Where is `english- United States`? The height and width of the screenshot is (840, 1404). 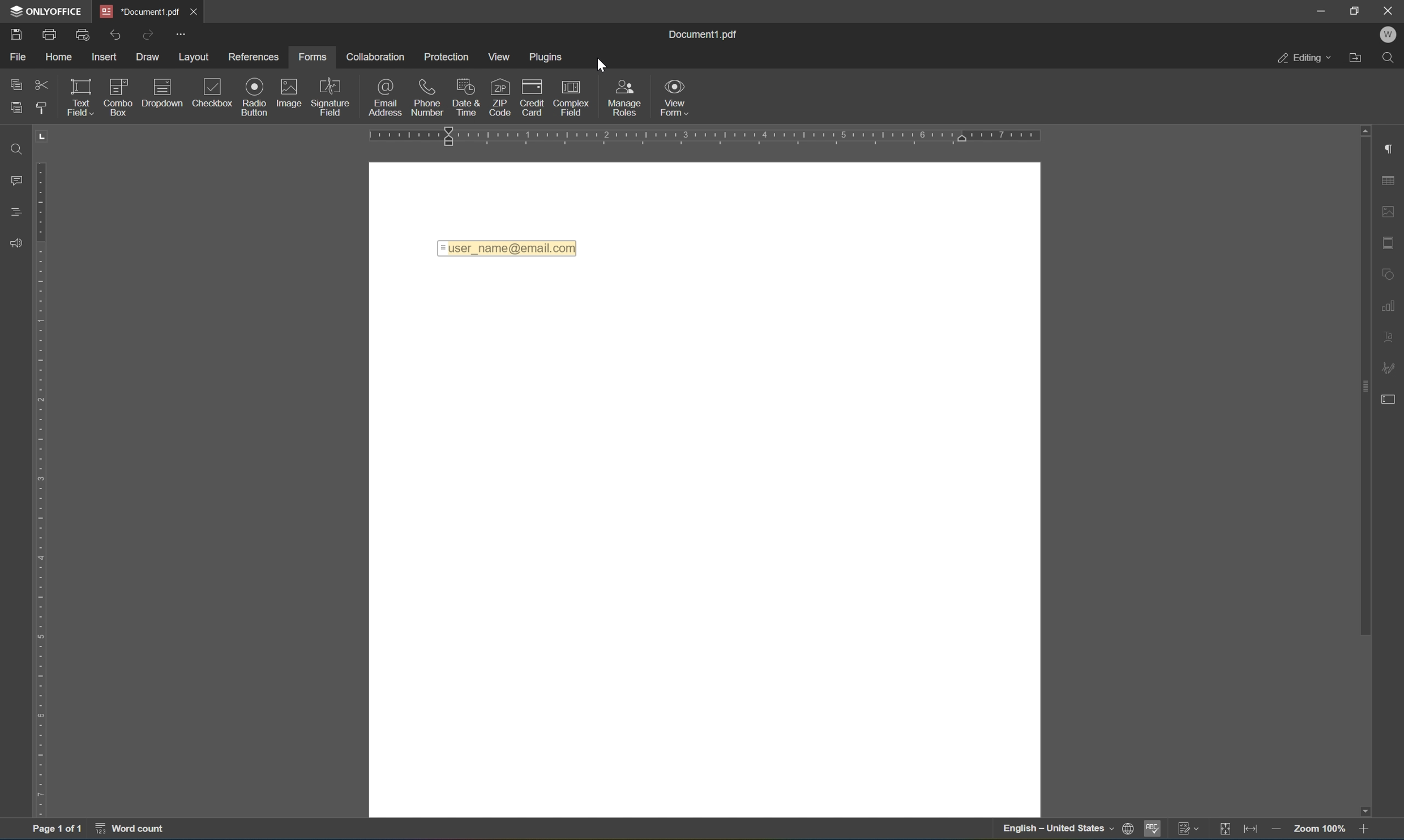 english- United States is located at coordinates (1052, 829).